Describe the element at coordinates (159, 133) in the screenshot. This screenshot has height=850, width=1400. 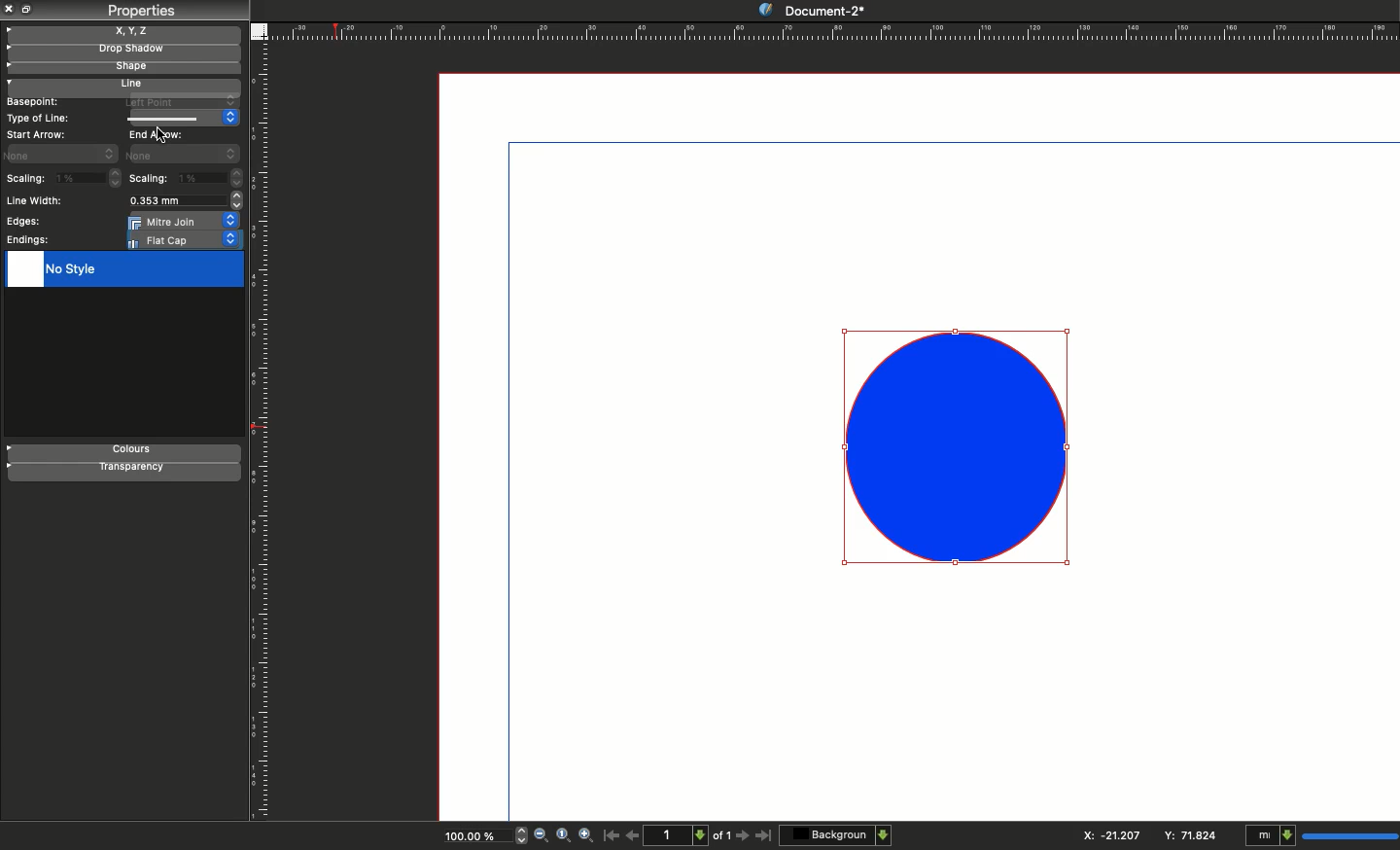
I see `End arrow` at that location.